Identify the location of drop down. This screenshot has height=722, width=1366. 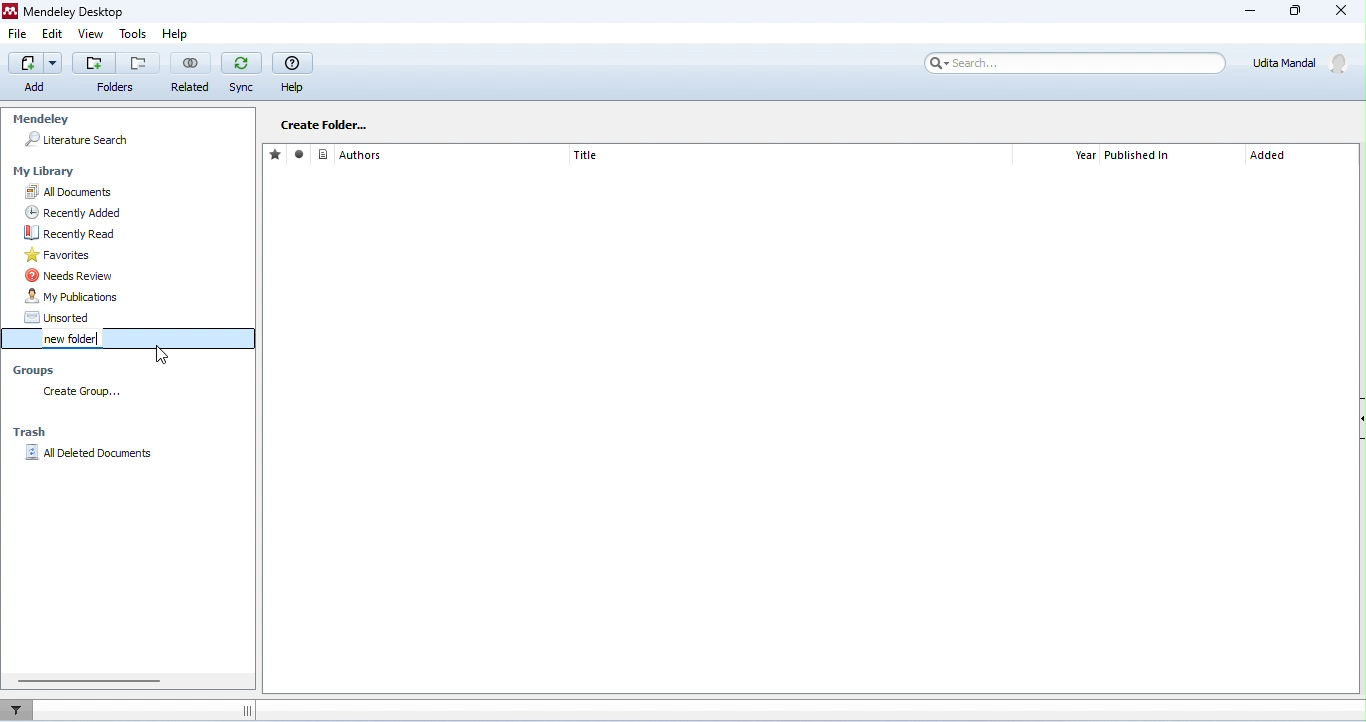
(55, 62).